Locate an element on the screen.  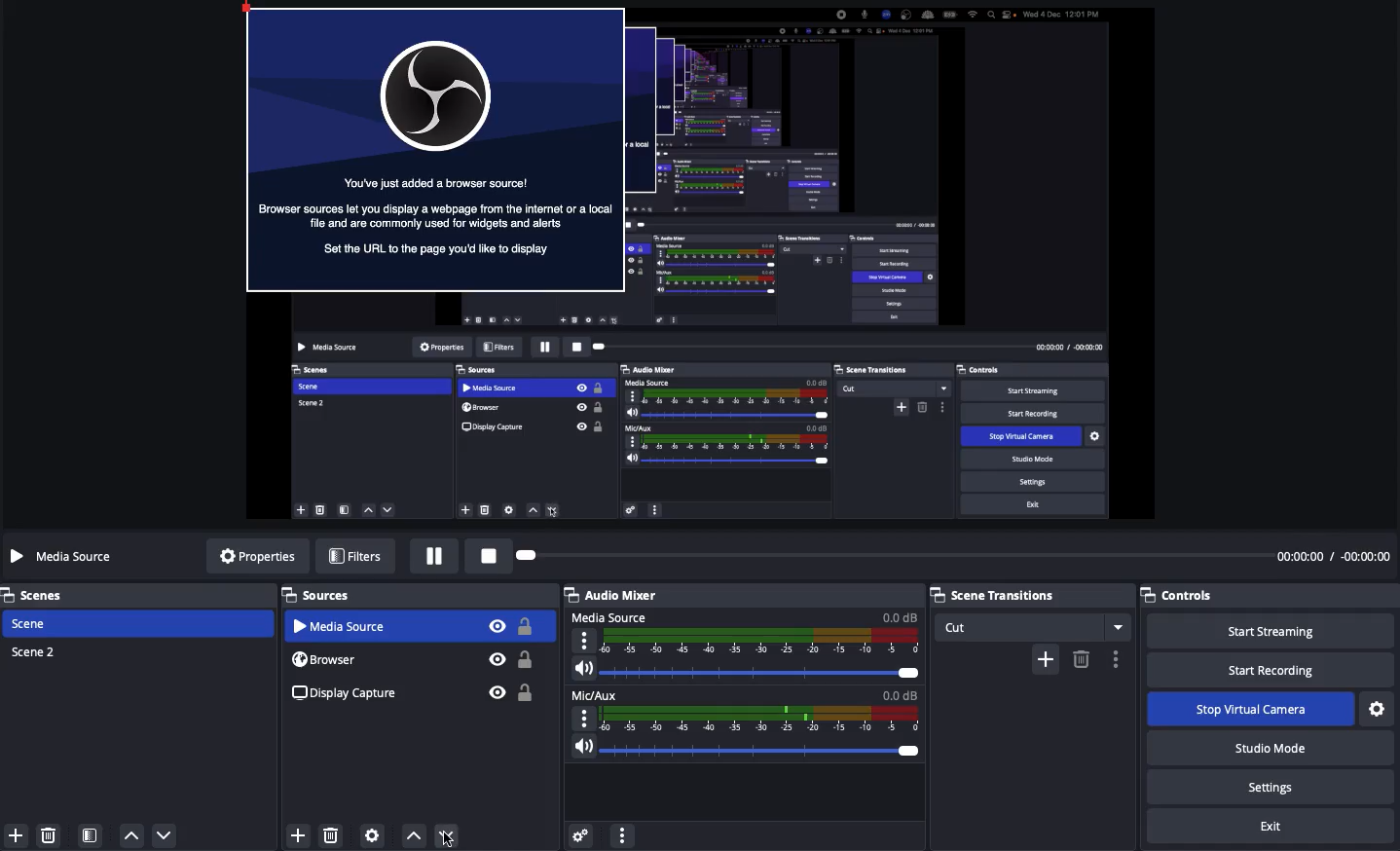
Remove is located at coordinates (1082, 660).